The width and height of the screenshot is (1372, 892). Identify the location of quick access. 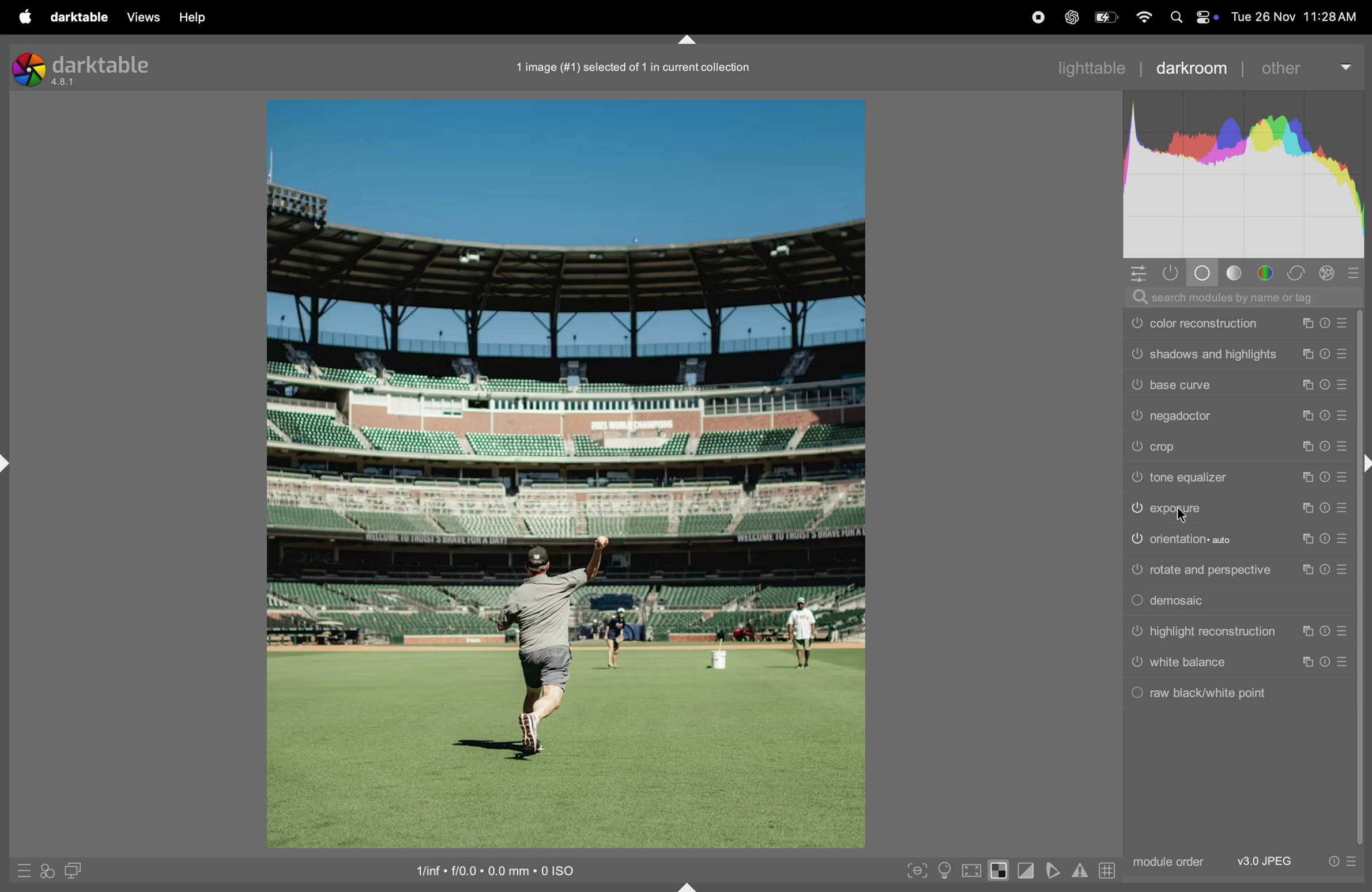
(47, 872).